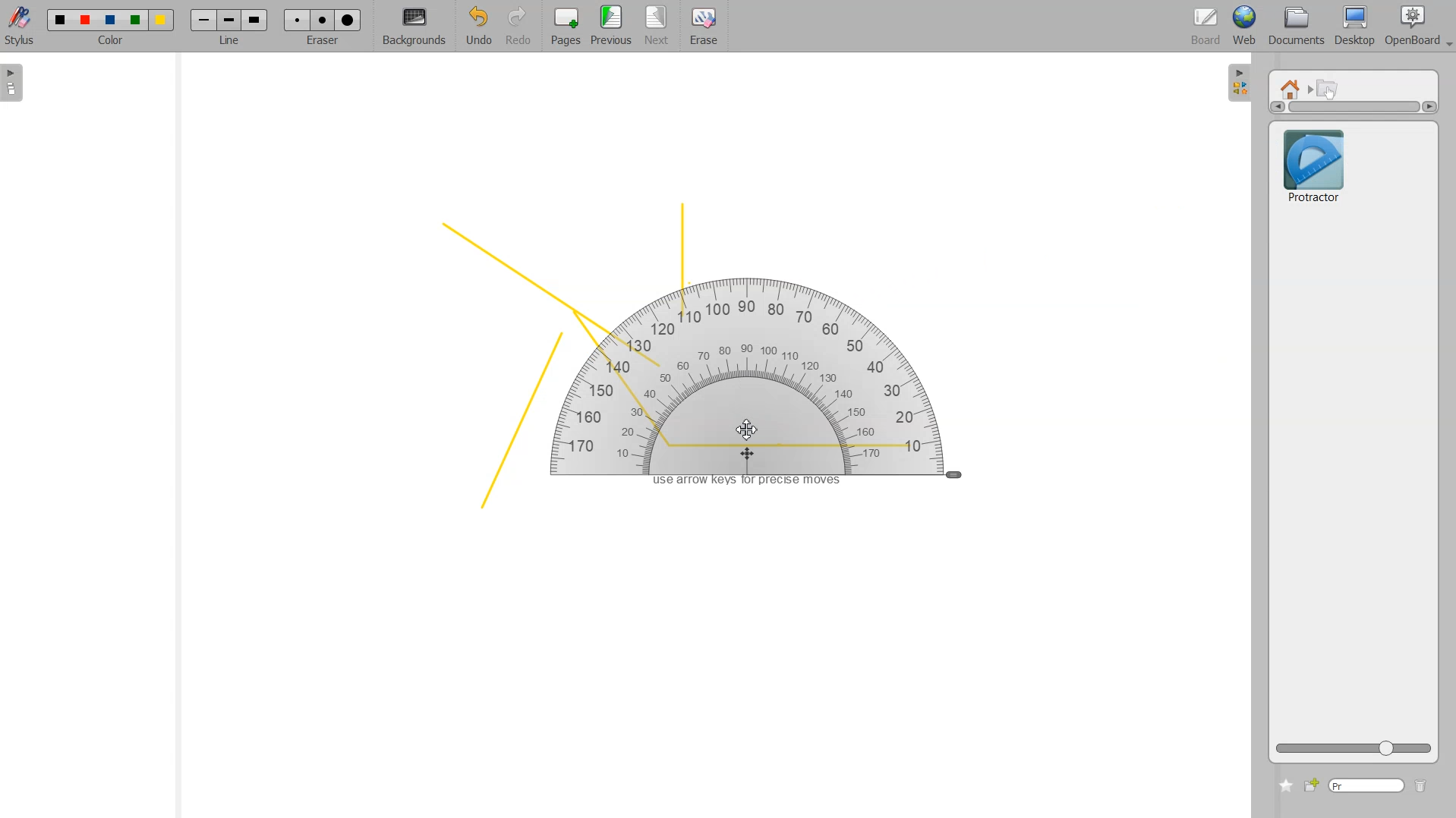 This screenshot has height=818, width=1456. Describe the element at coordinates (1285, 785) in the screenshot. I see `Add to favorite` at that location.